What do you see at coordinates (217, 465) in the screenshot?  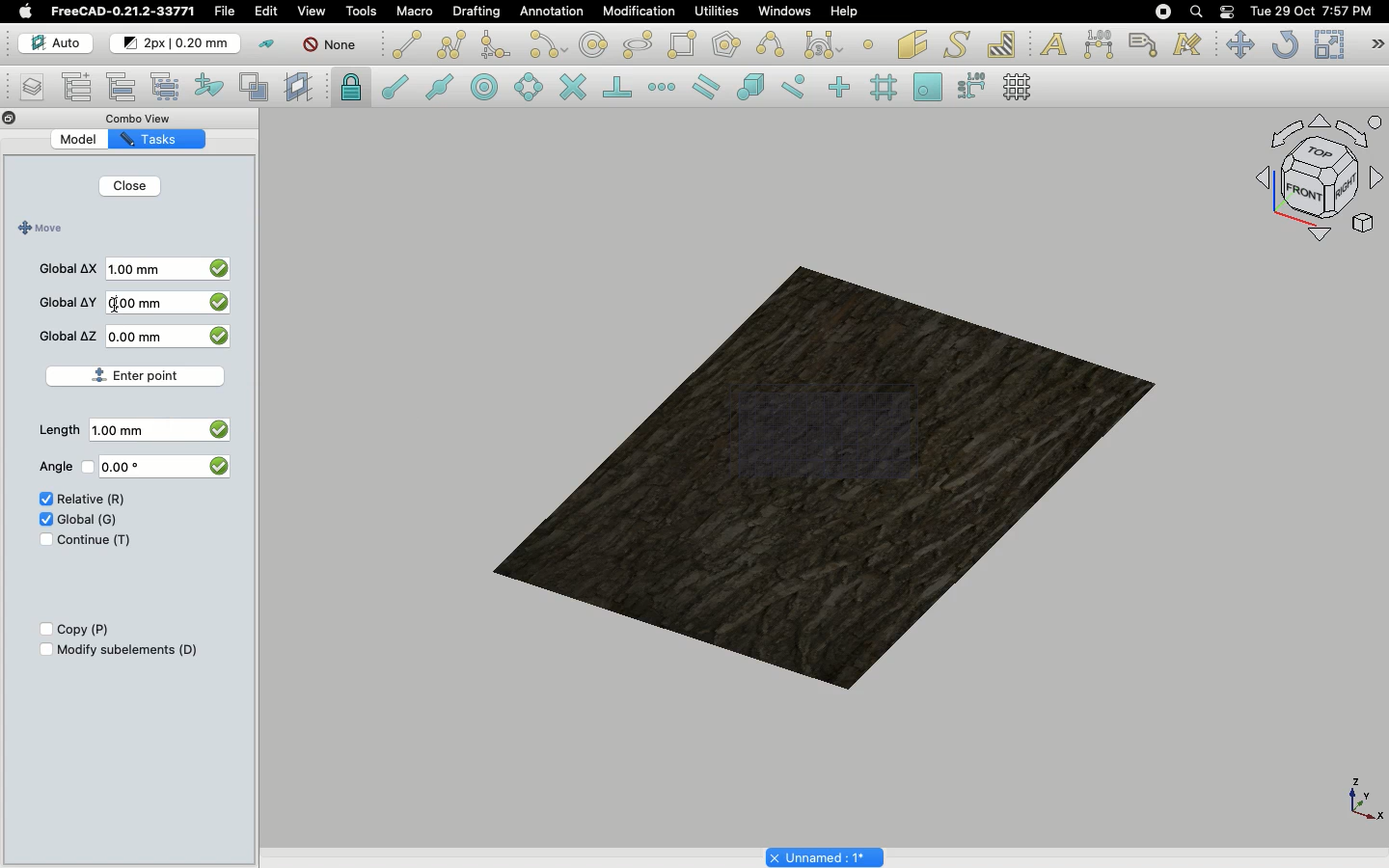 I see `checkbox` at bounding box center [217, 465].